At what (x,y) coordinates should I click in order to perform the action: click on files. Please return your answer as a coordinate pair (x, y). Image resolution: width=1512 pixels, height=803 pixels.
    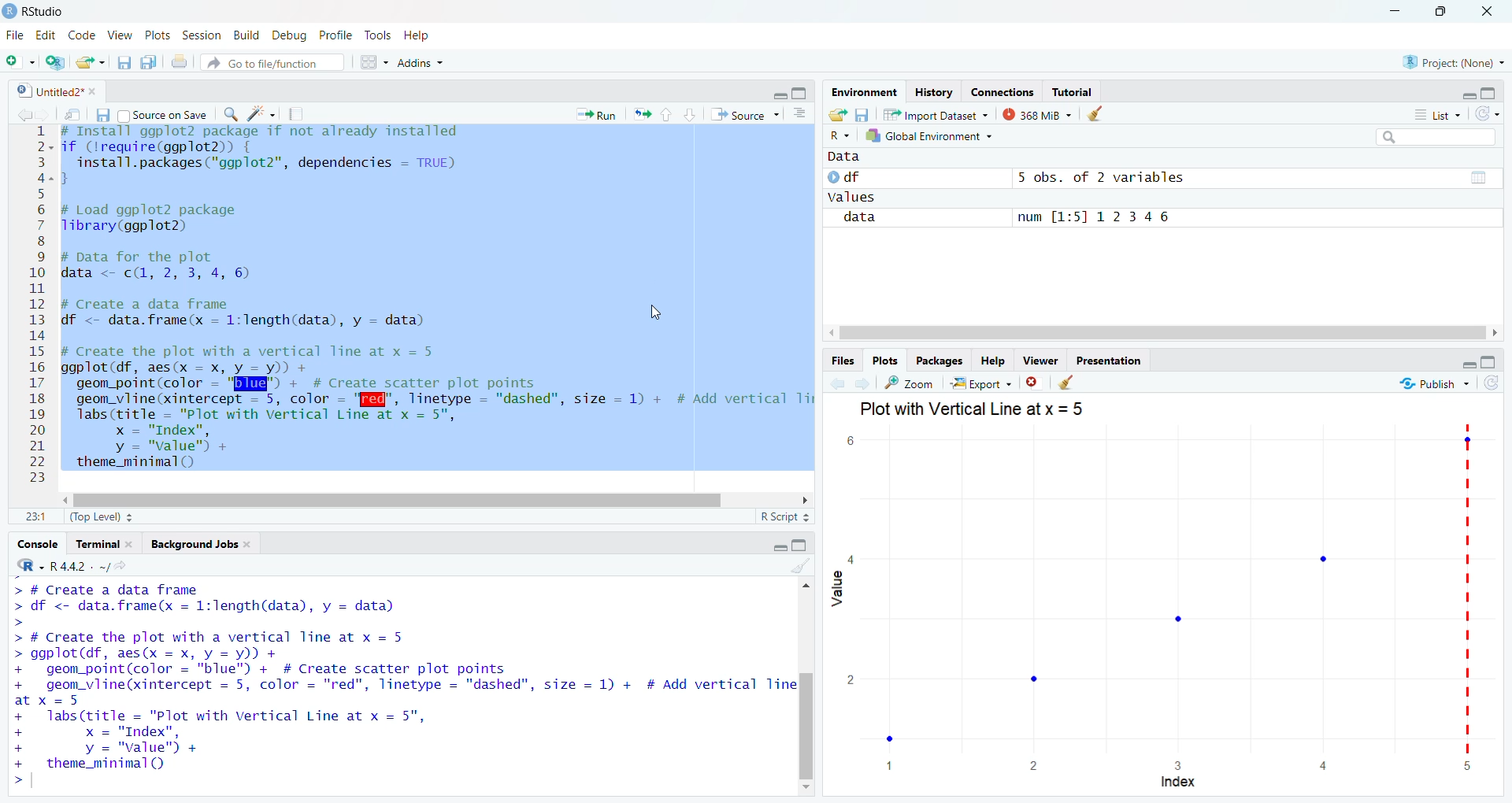
    Looking at the image, I should click on (864, 115).